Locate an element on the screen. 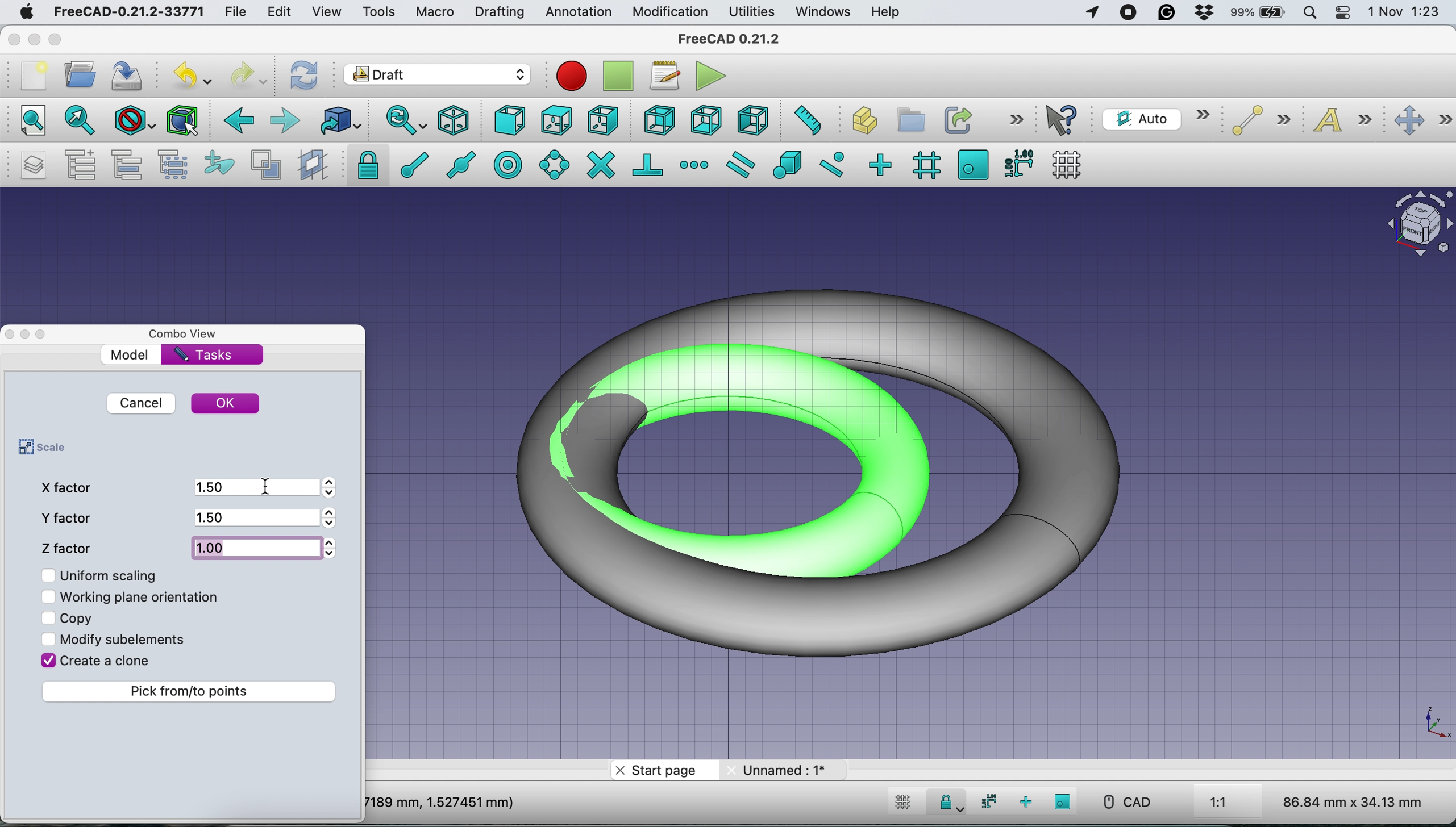 This screenshot has width=1456, height=827. snap ortho is located at coordinates (1024, 801).